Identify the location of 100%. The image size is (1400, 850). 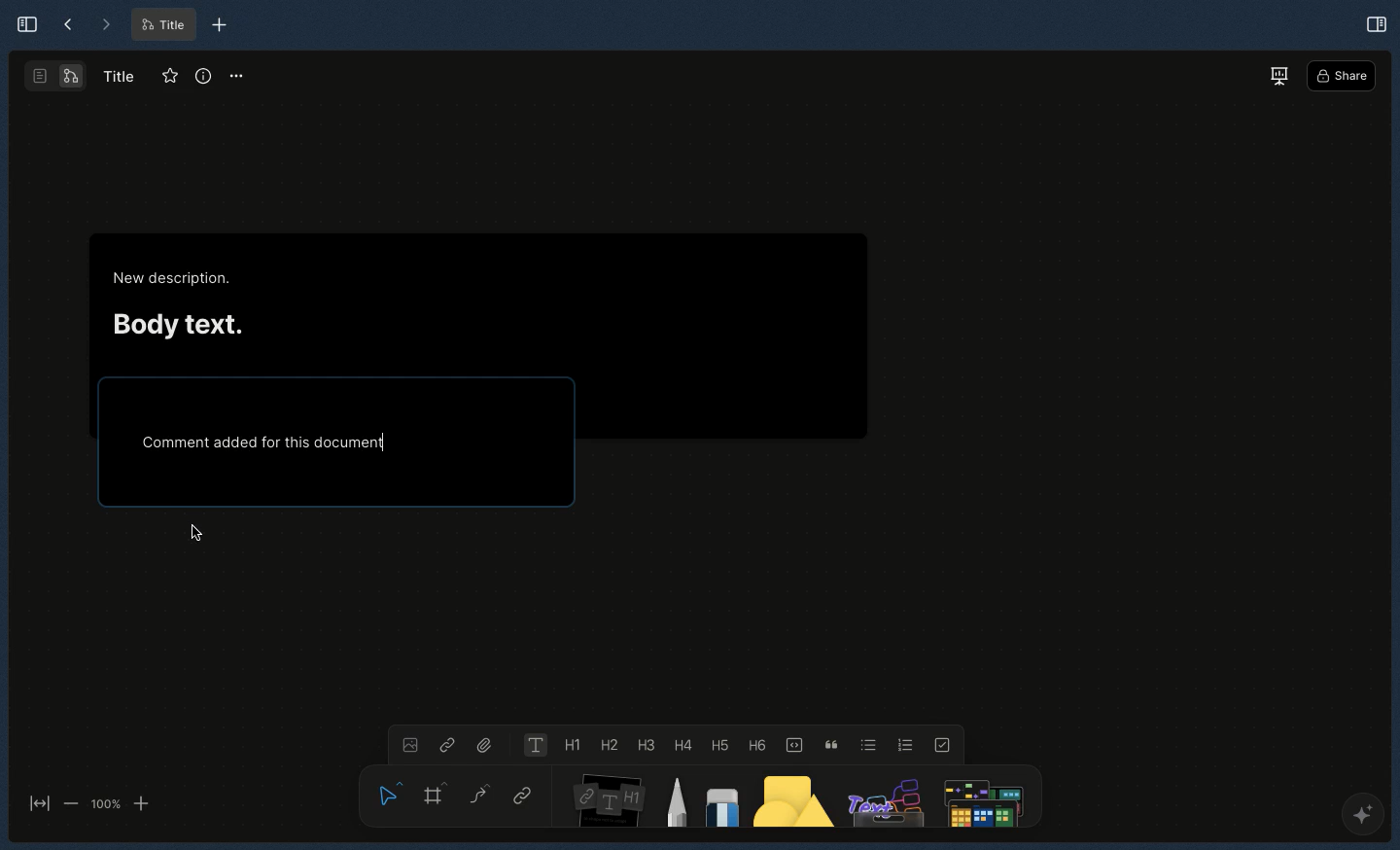
(105, 804).